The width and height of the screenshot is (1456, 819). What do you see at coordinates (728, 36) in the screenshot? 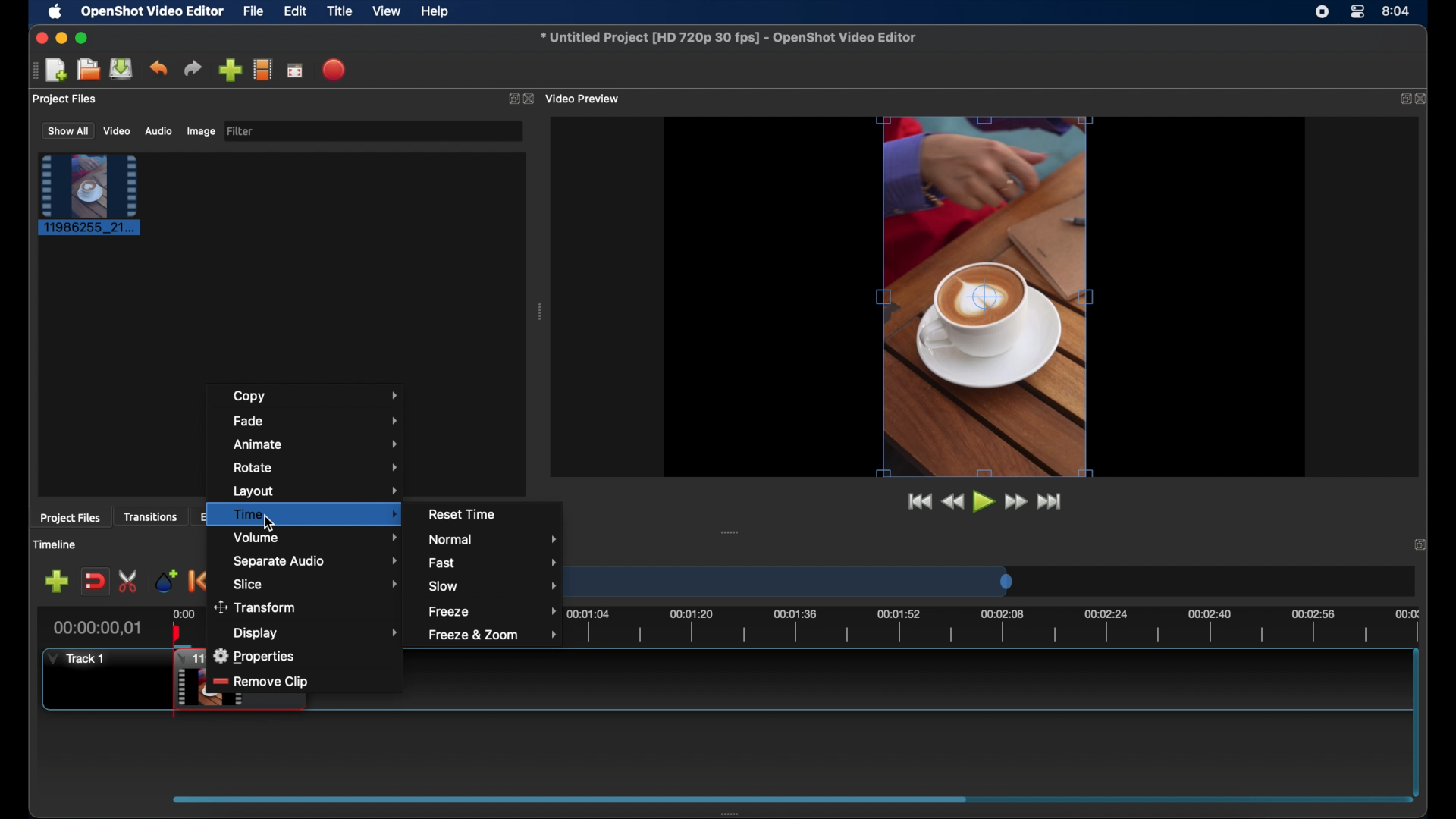
I see `file name` at bounding box center [728, 36].